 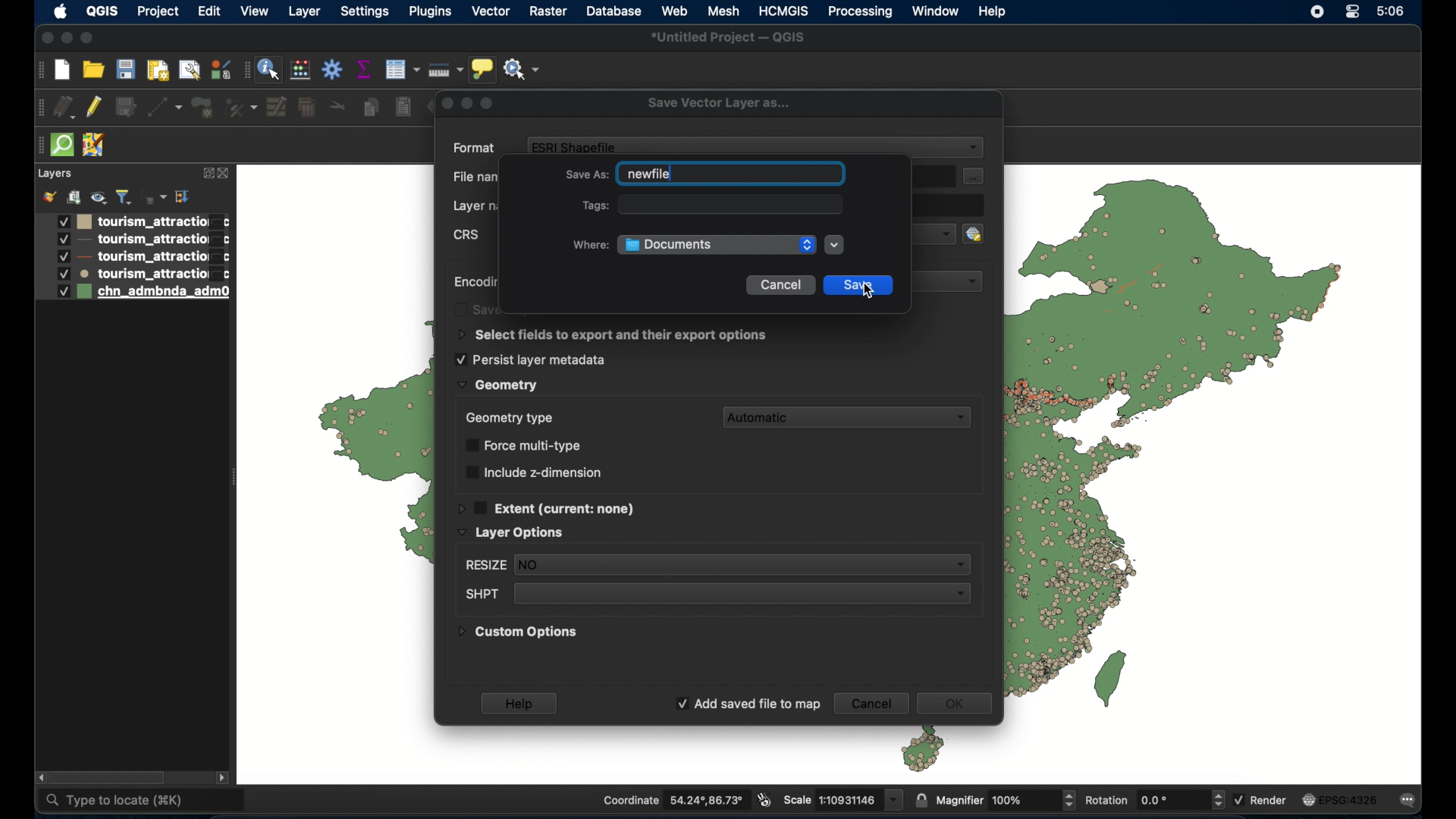 What do you see at coordinates (475, 281) in the screenshot?
I see `encoding` at bounding box center [475, 281].